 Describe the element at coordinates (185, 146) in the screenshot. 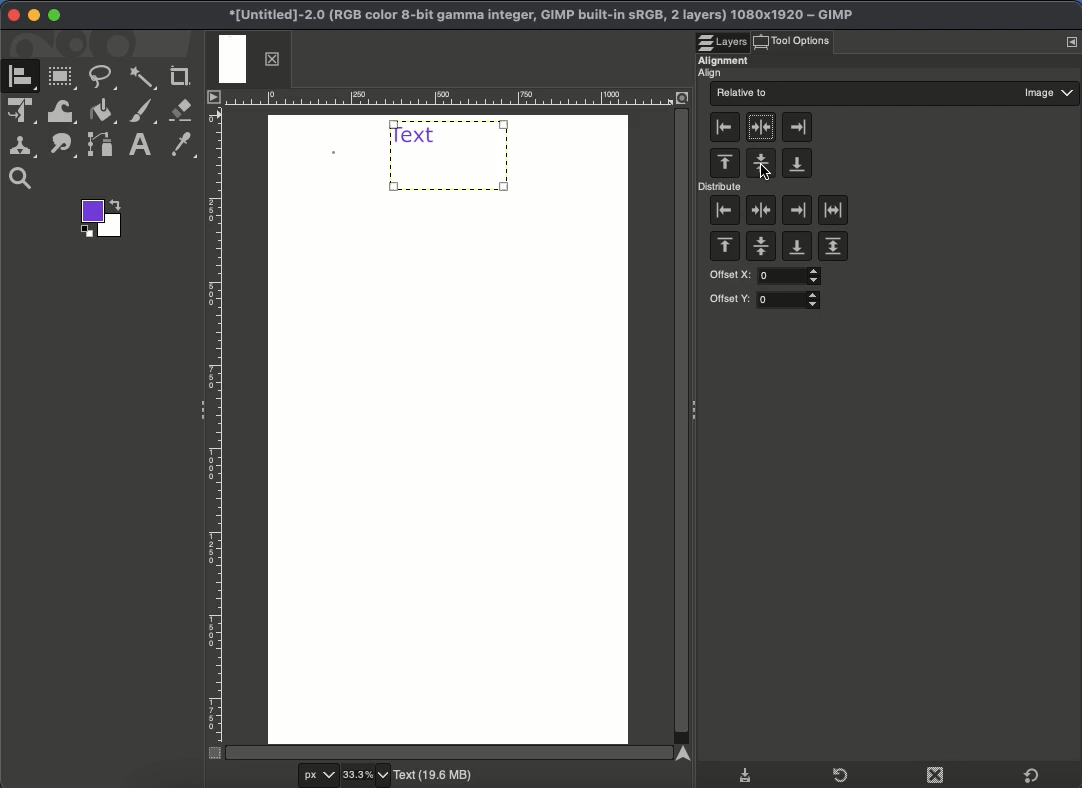

I see `Color picker` at that location.